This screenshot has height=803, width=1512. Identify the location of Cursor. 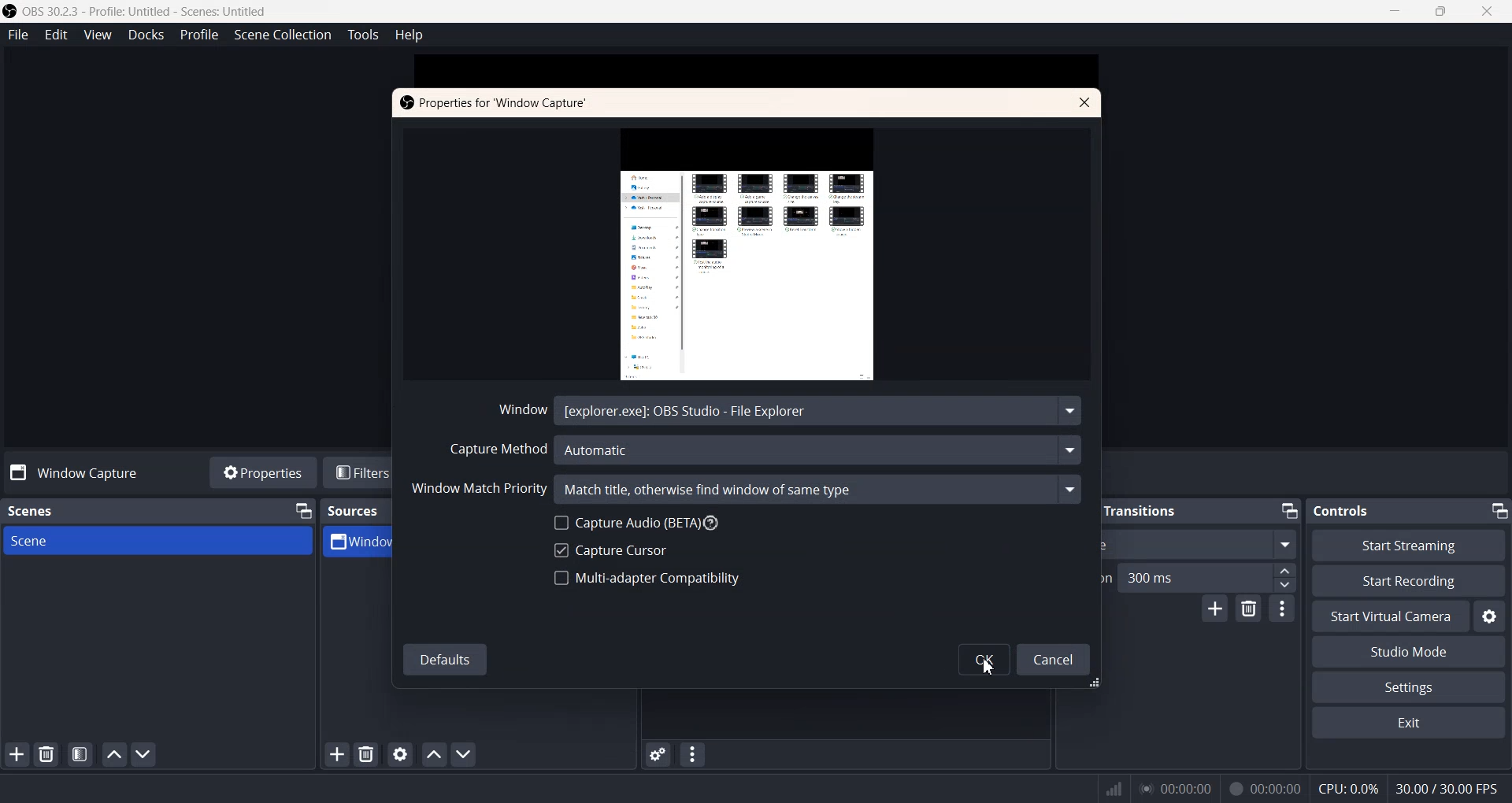
(990, 664).